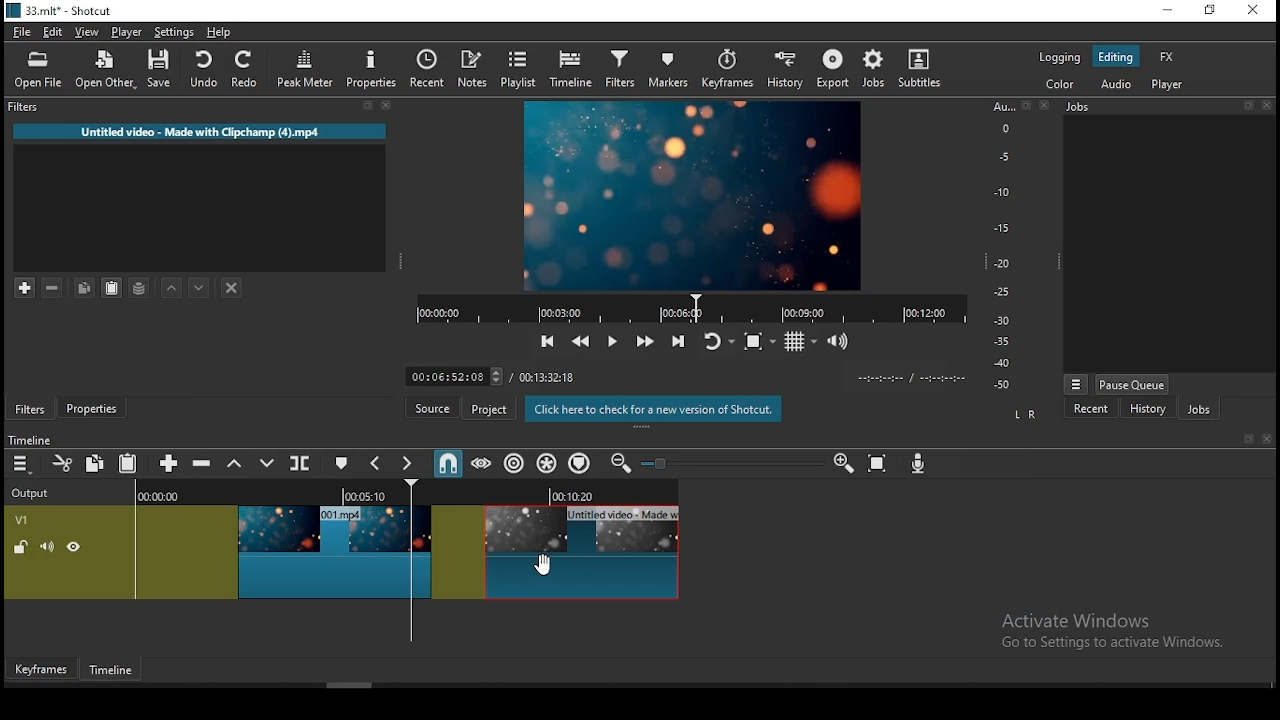 The height and width of the screenshot is (720, 1280). Describe the element at coordinates (489, 407) in the screenshot. I see `Project` at that location.